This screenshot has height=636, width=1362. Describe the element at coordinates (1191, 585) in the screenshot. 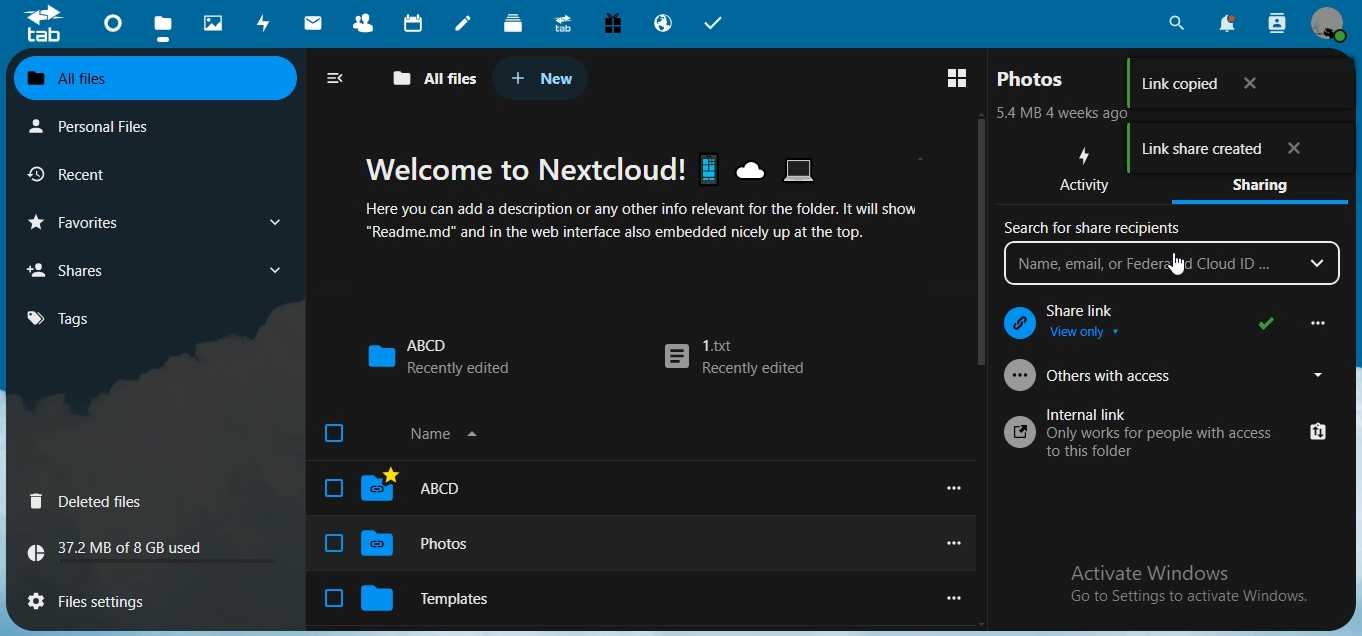

I see `text` at that location.